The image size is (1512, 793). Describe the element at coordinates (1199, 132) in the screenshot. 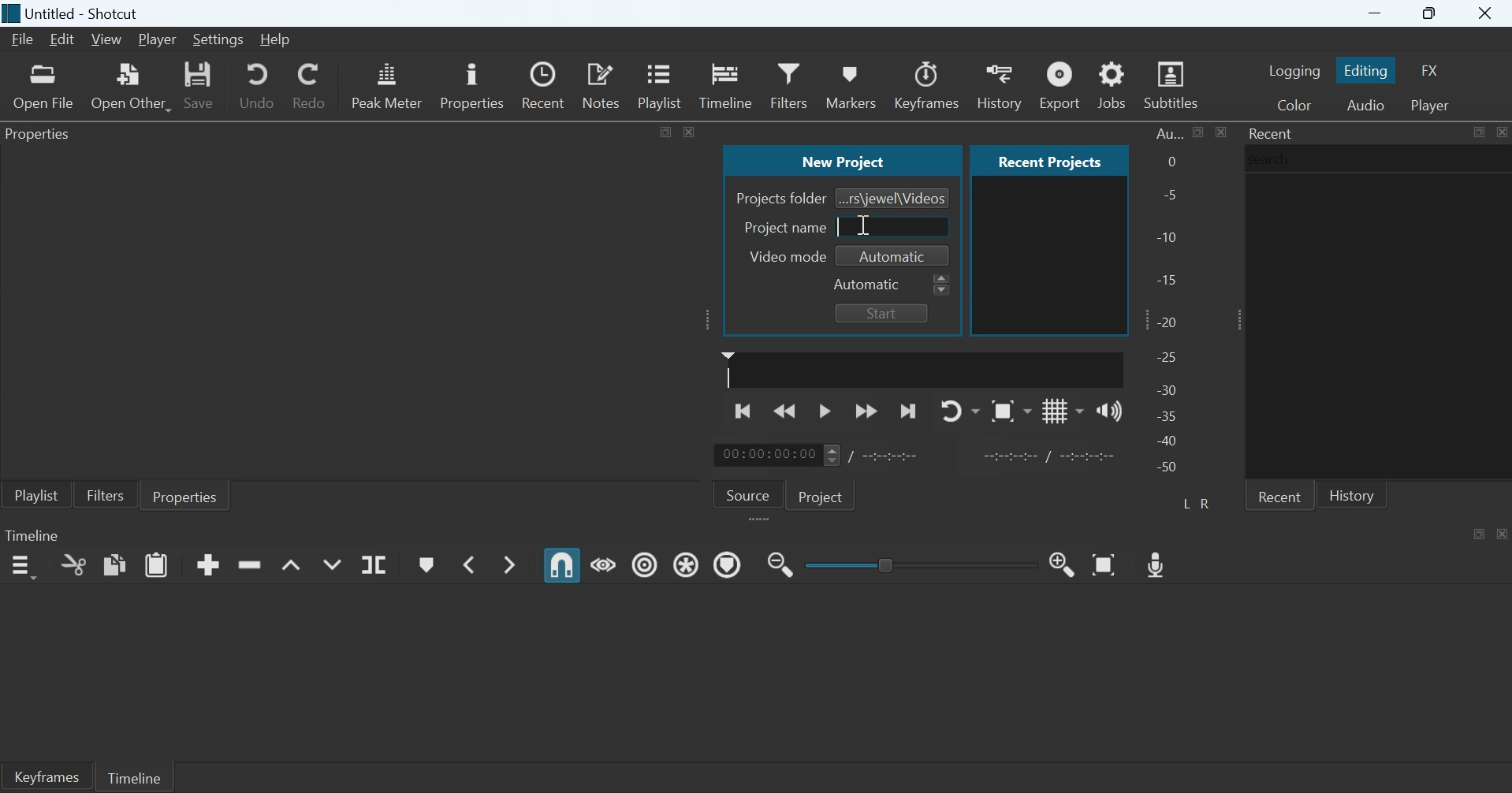

I see `Maximize` at that location.